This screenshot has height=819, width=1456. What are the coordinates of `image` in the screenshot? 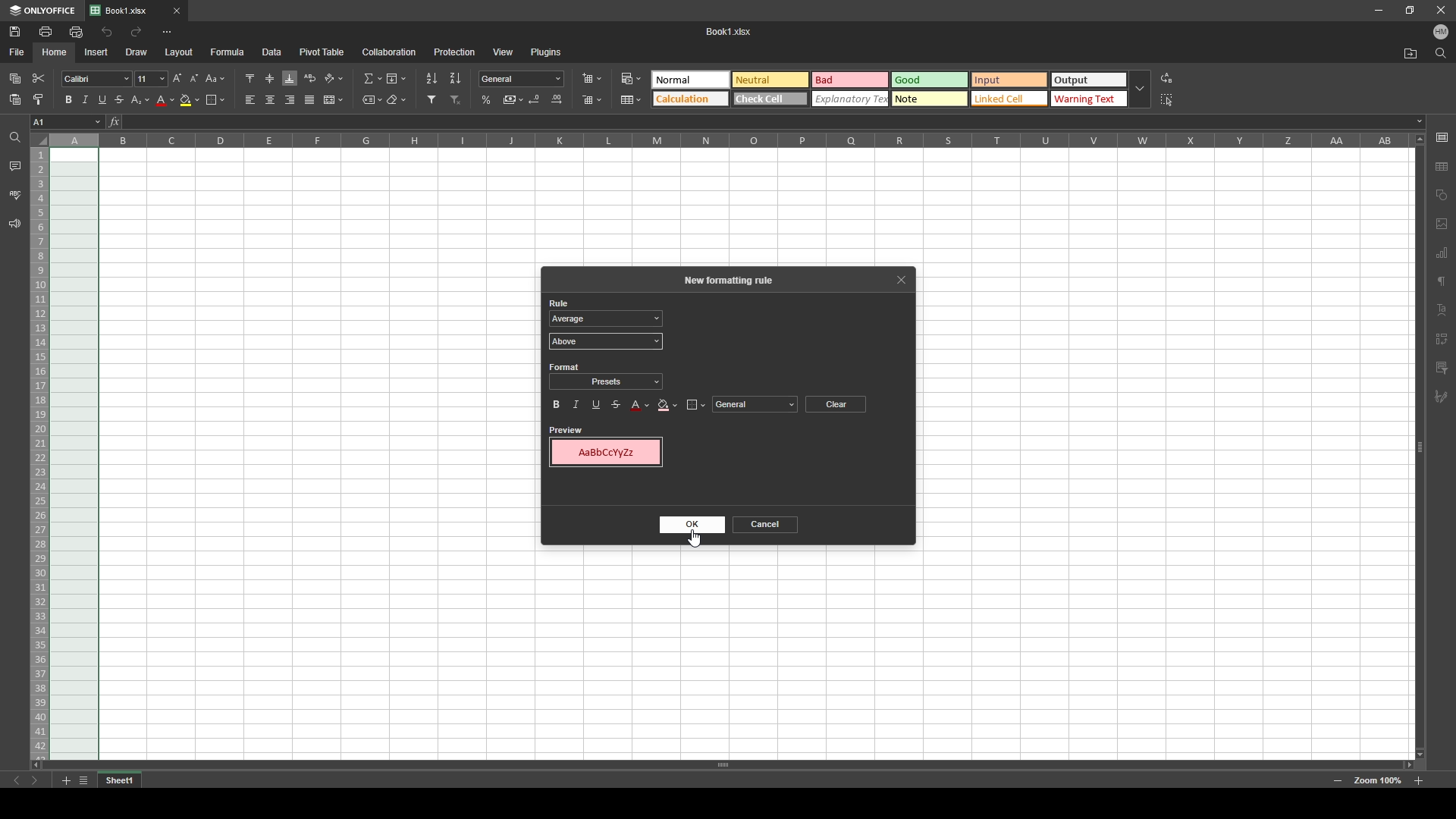 It's located at (1442, 224).